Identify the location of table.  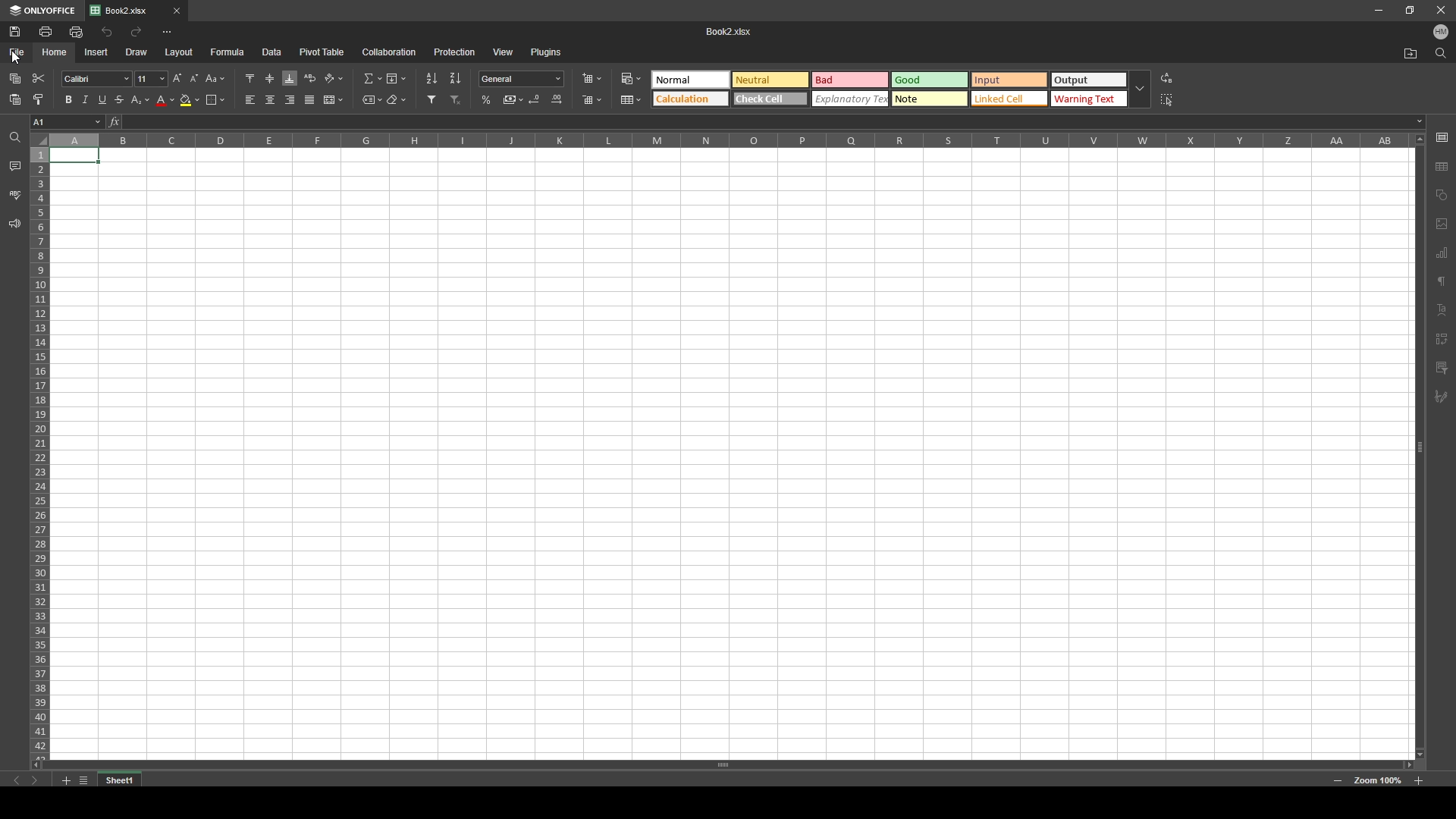
(1442, 165).